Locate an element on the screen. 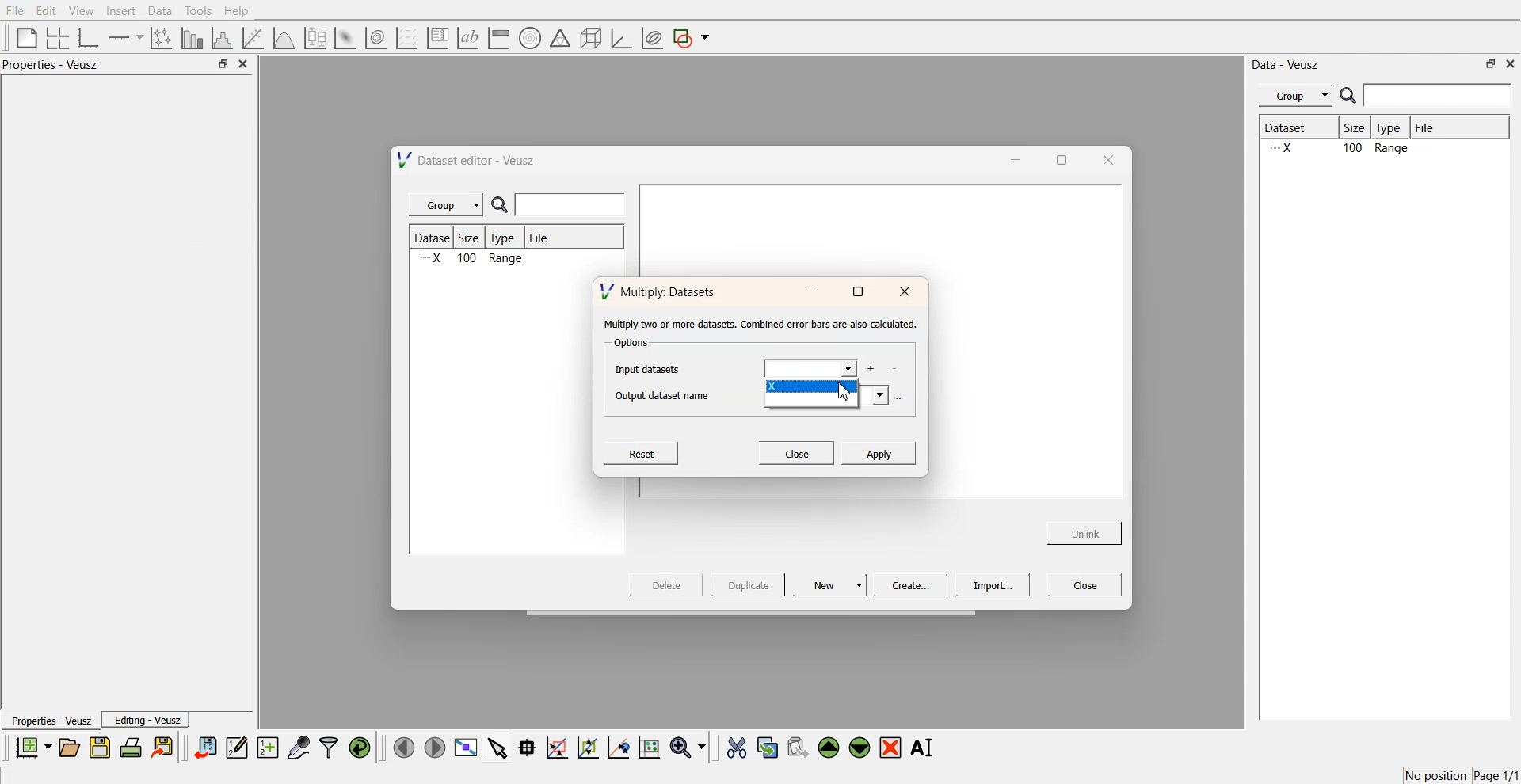  copy the selected widgets is located at coordinates (768, 747).